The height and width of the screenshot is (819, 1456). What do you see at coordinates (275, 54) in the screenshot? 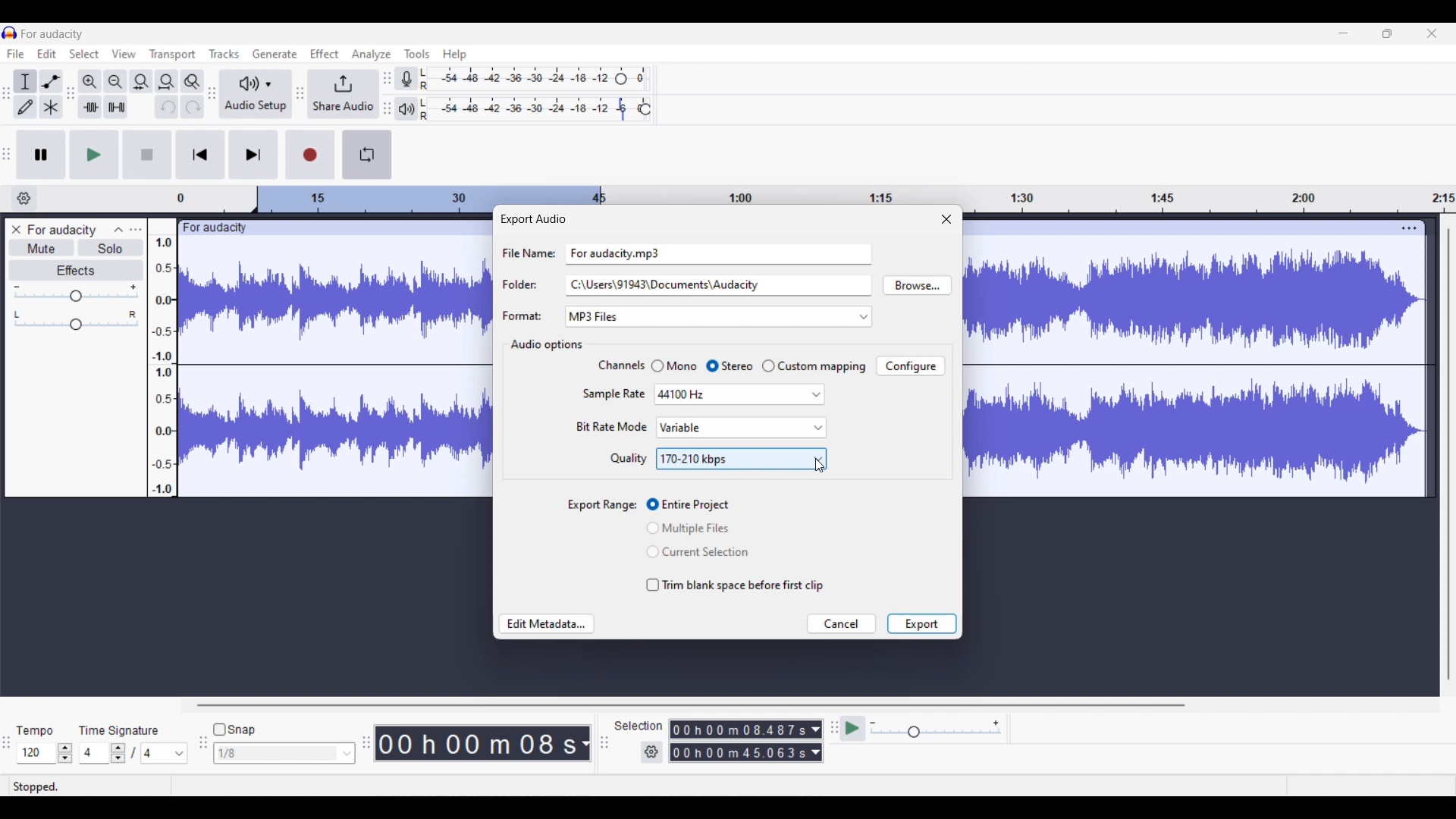
I see `Generate menu` at bounding box center [275, 54].